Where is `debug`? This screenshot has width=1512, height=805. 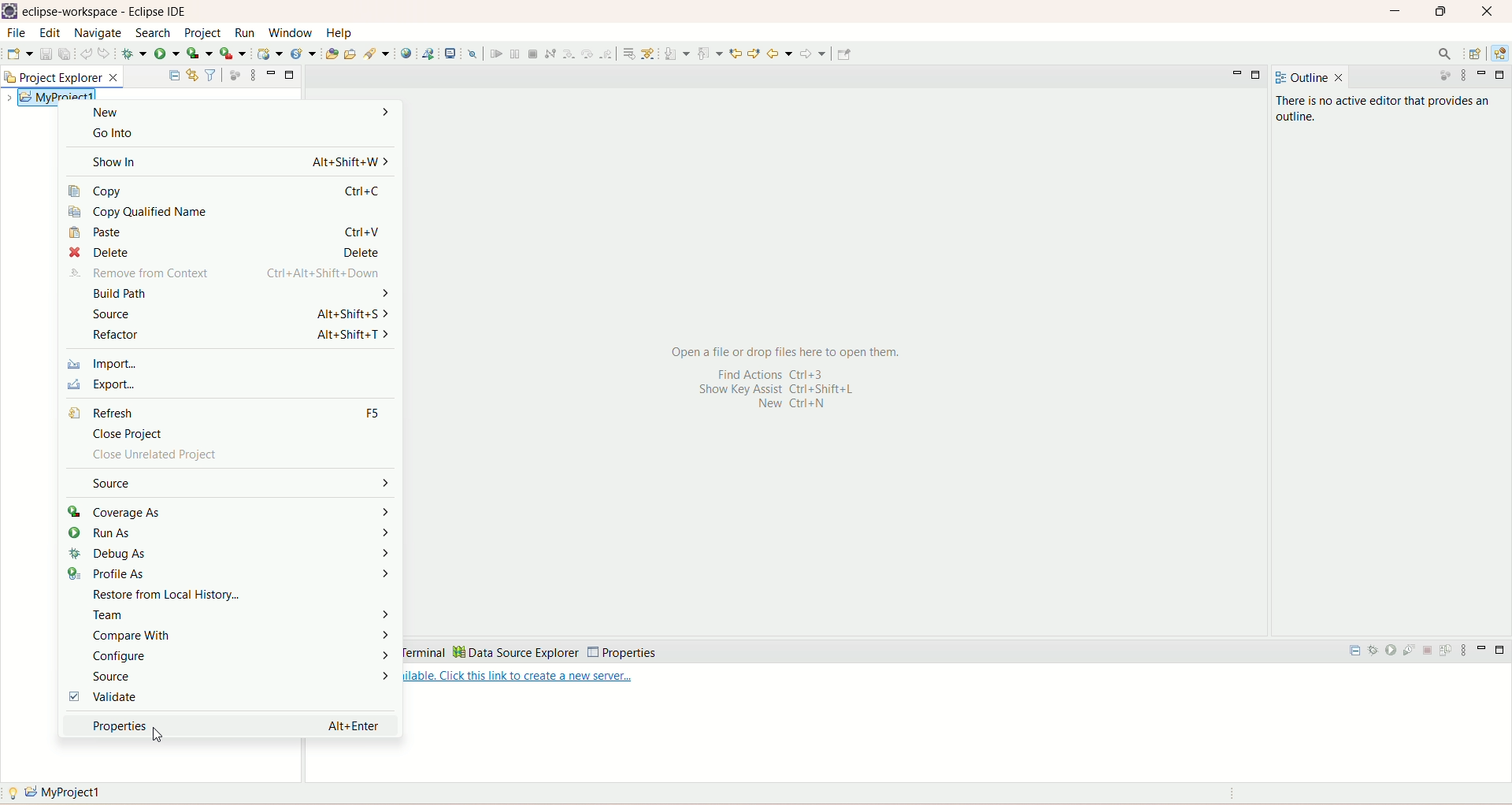
debug is located at coordinates (135, 54).